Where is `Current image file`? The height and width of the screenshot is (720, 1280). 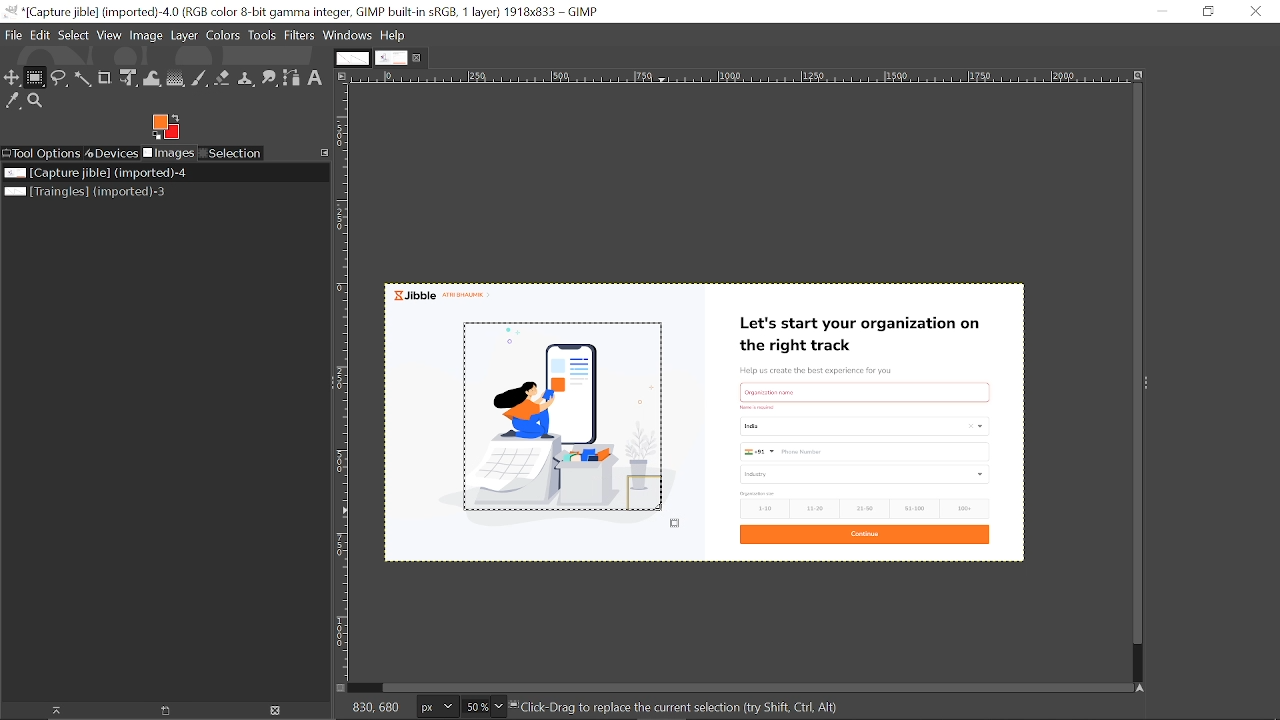
Current image file is located at coordinates (93, 172).